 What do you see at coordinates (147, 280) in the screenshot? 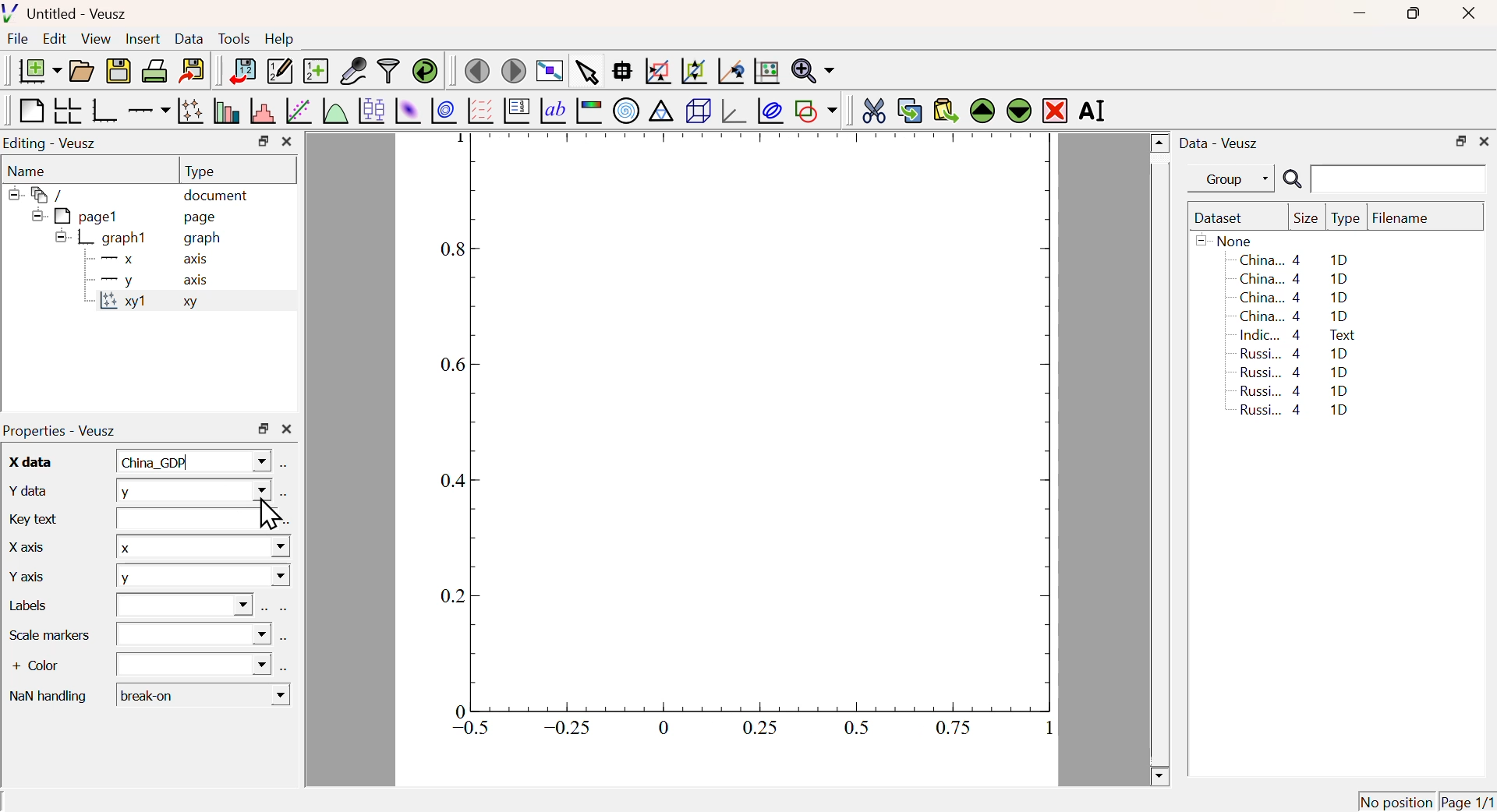
I see `y axis` at bounding box center [147, 280].